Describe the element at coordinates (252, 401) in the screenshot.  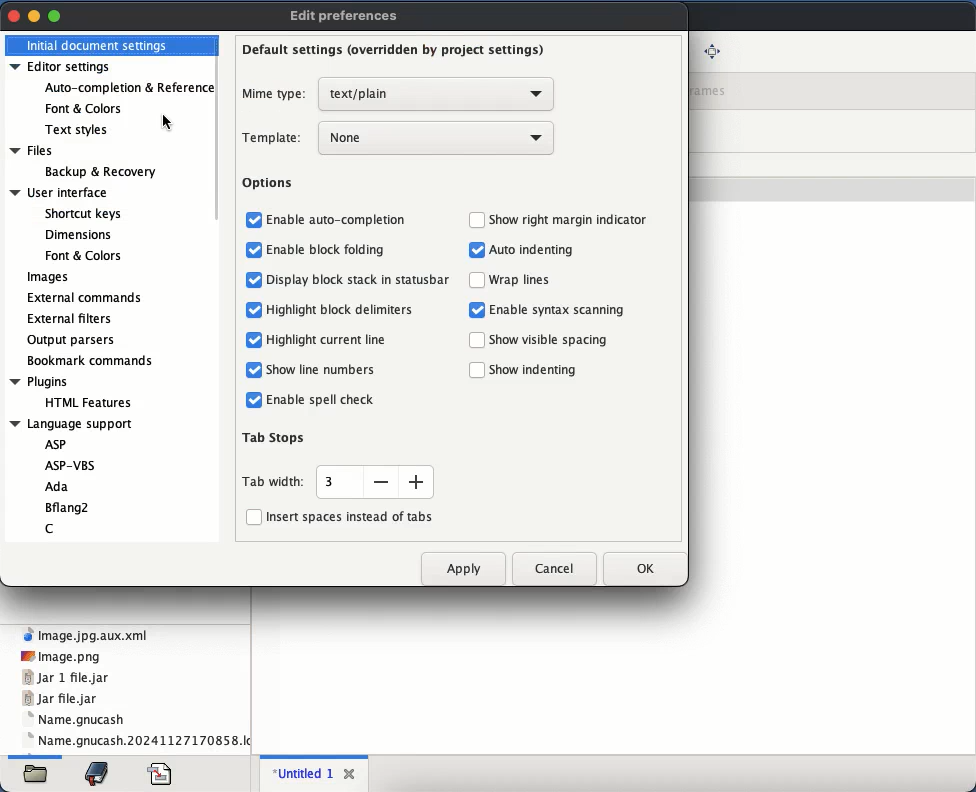
I see `checkbox` at that location.